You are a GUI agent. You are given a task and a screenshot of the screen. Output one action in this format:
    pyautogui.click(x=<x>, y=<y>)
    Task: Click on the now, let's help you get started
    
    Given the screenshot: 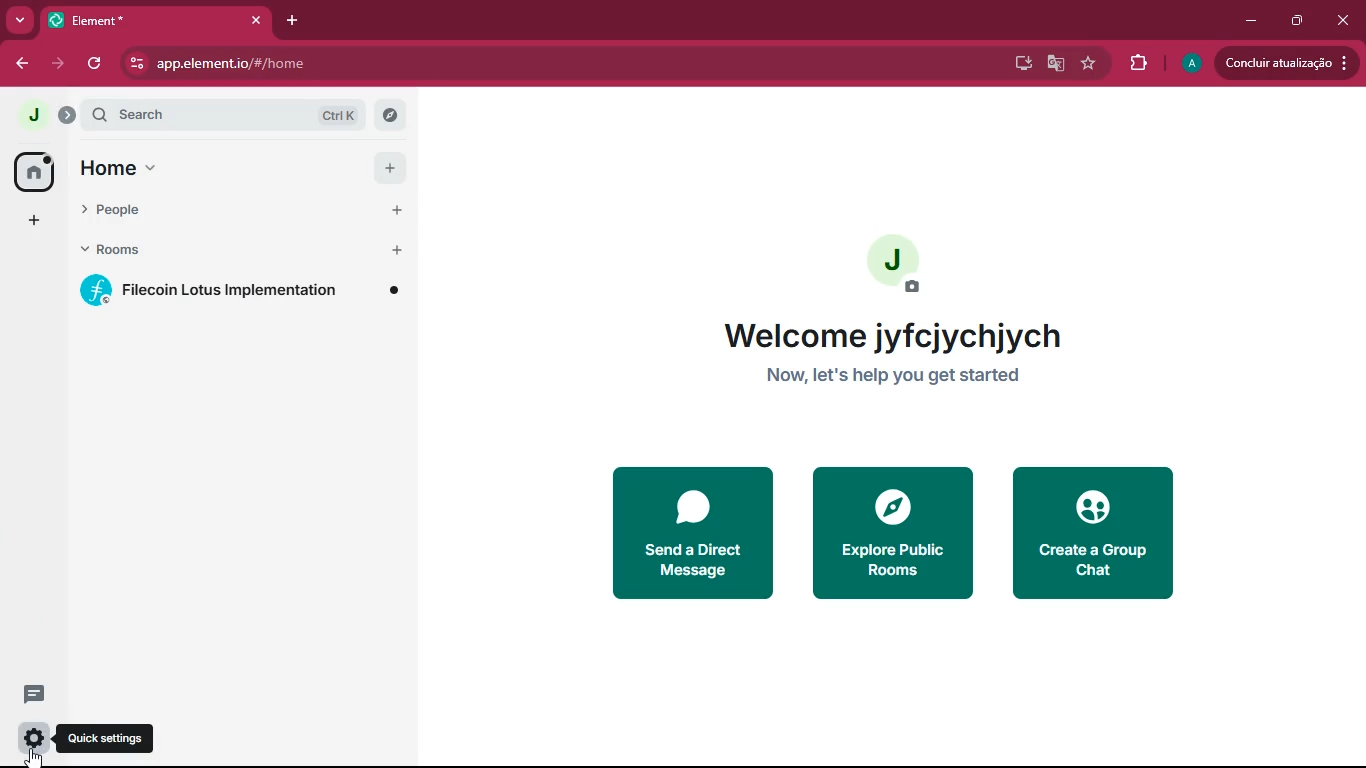 What is the action you would take?
    pyautogui.click(x=889, y=377)
    